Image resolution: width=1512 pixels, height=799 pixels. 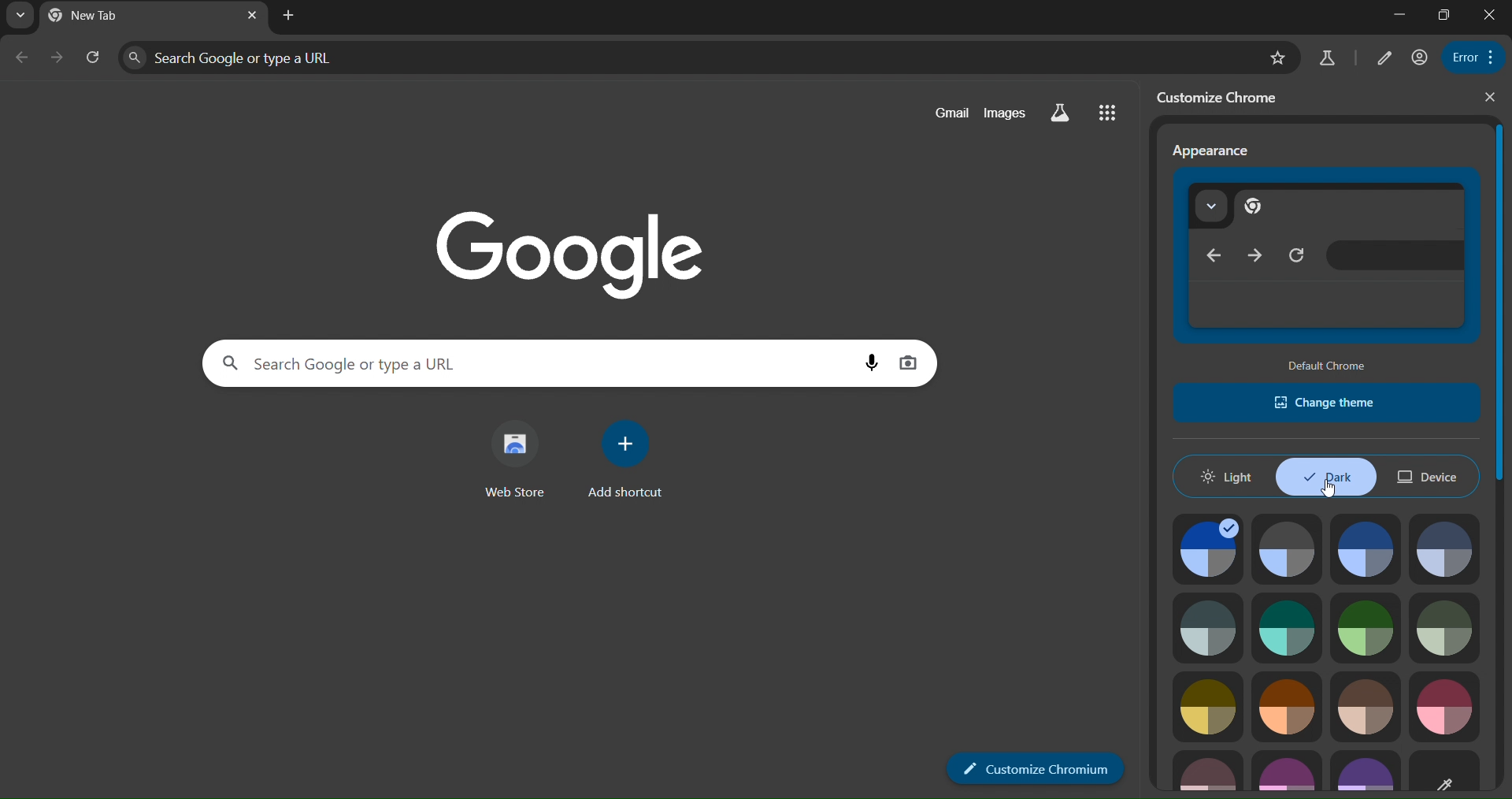 I want to click on theme icon, so click(x=1447, y=705).